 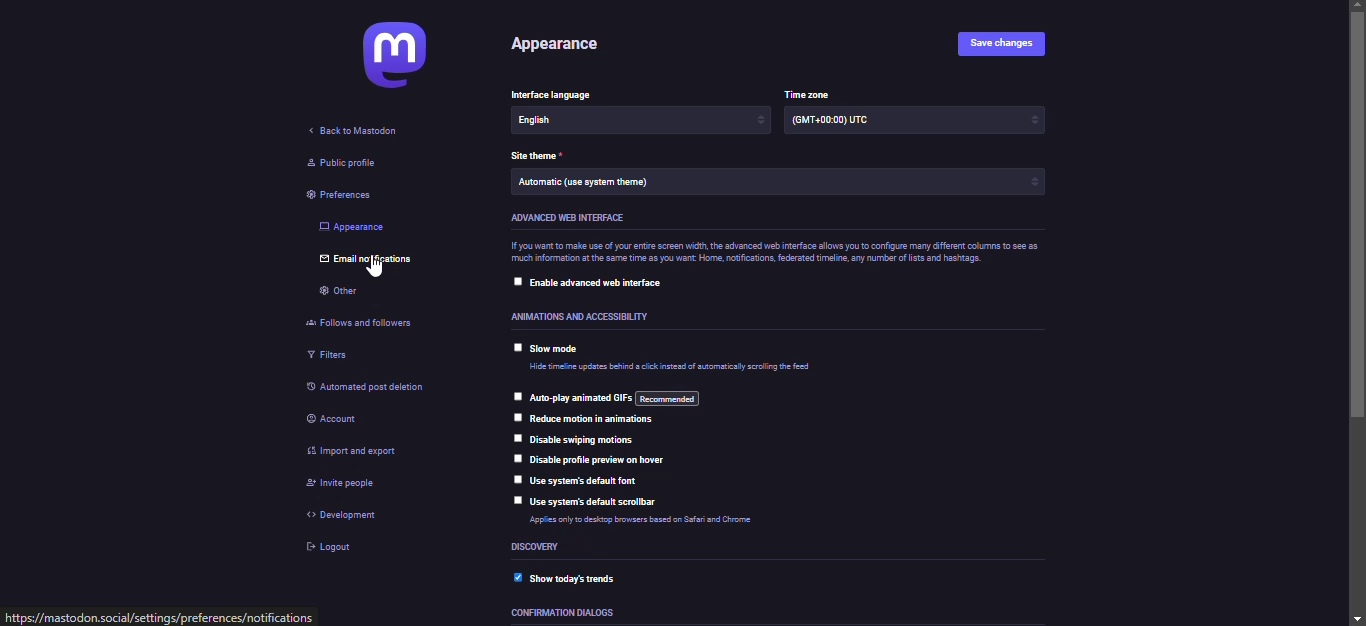 What do you see at coordinates (515, 457) in the screenshot?
I see `click to select` at bounding box center [515, 457].